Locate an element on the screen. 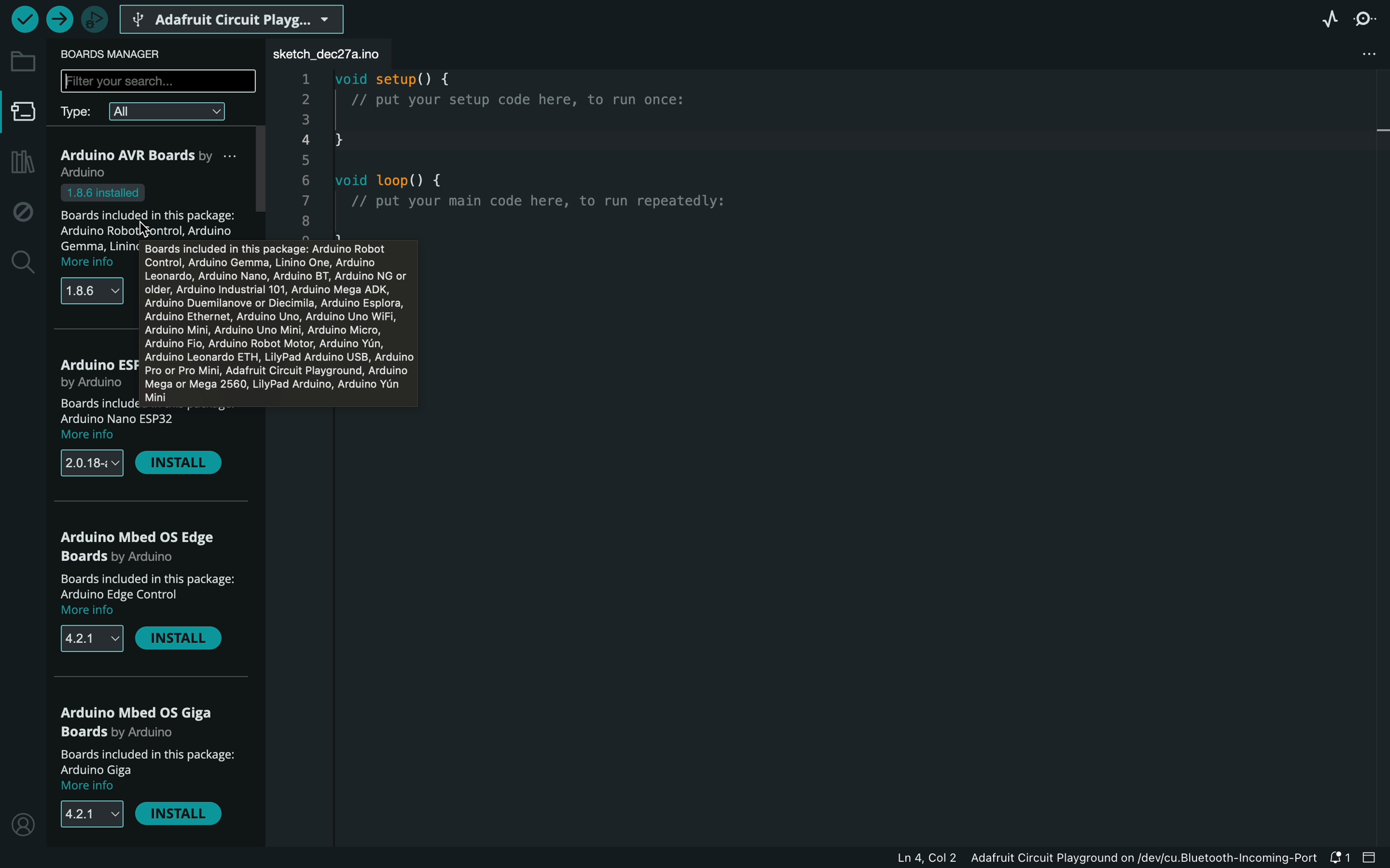 The image size is (1390, 868). arduino is located at coordinates (98, 366).